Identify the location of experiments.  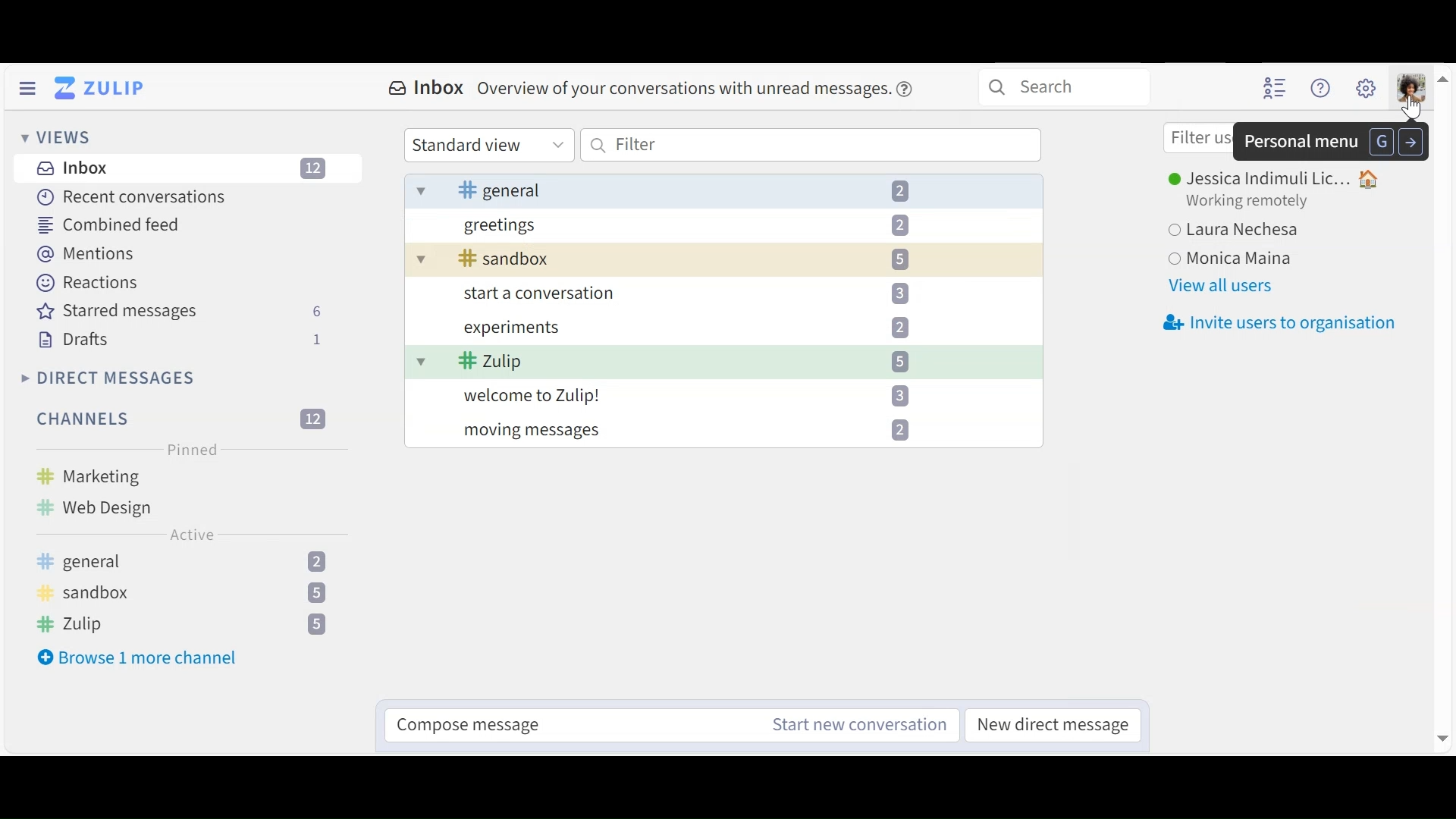
(485, 326).